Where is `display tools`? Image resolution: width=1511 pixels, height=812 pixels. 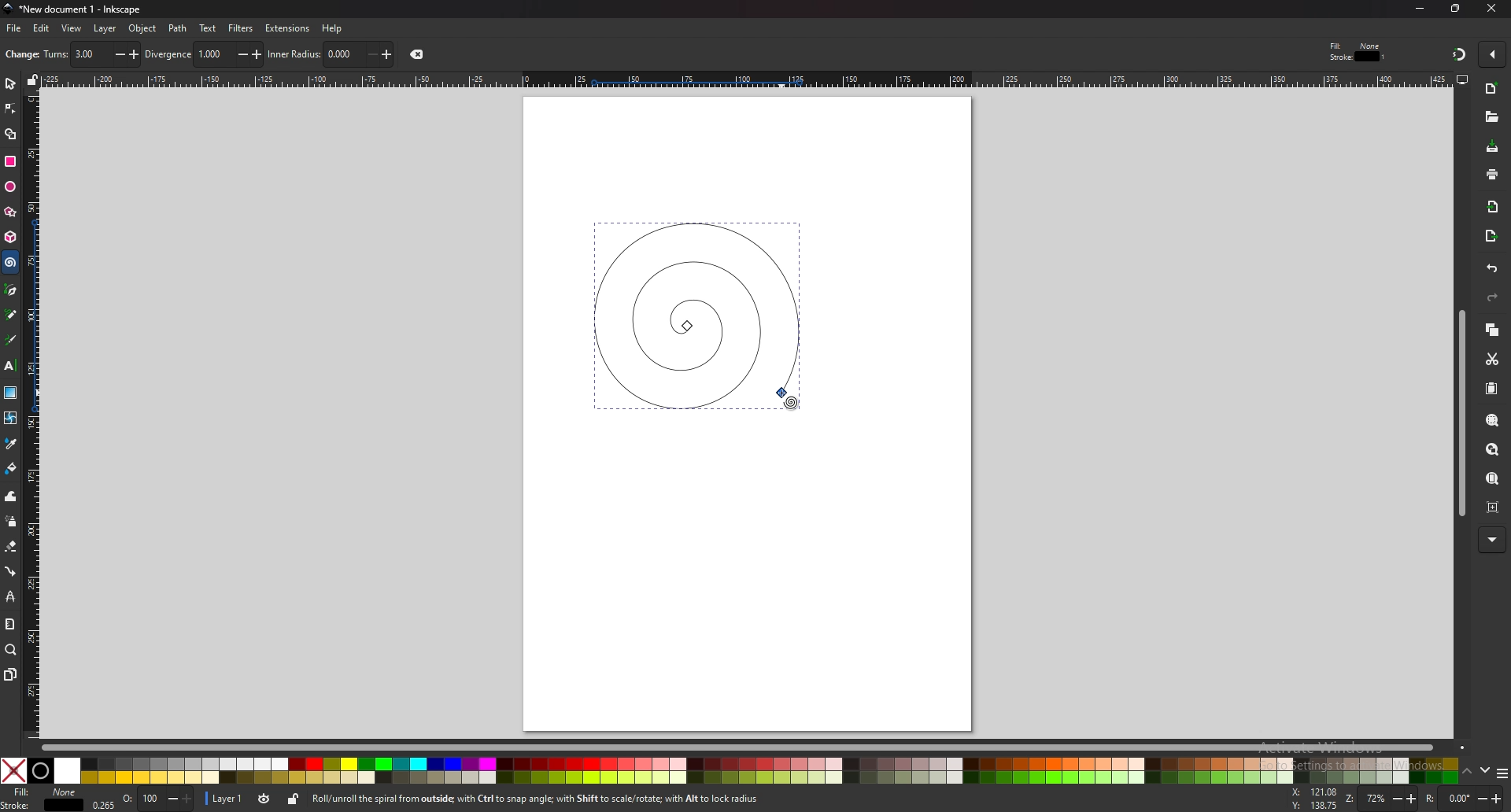 display tools is located at coordinates (1463, 79).